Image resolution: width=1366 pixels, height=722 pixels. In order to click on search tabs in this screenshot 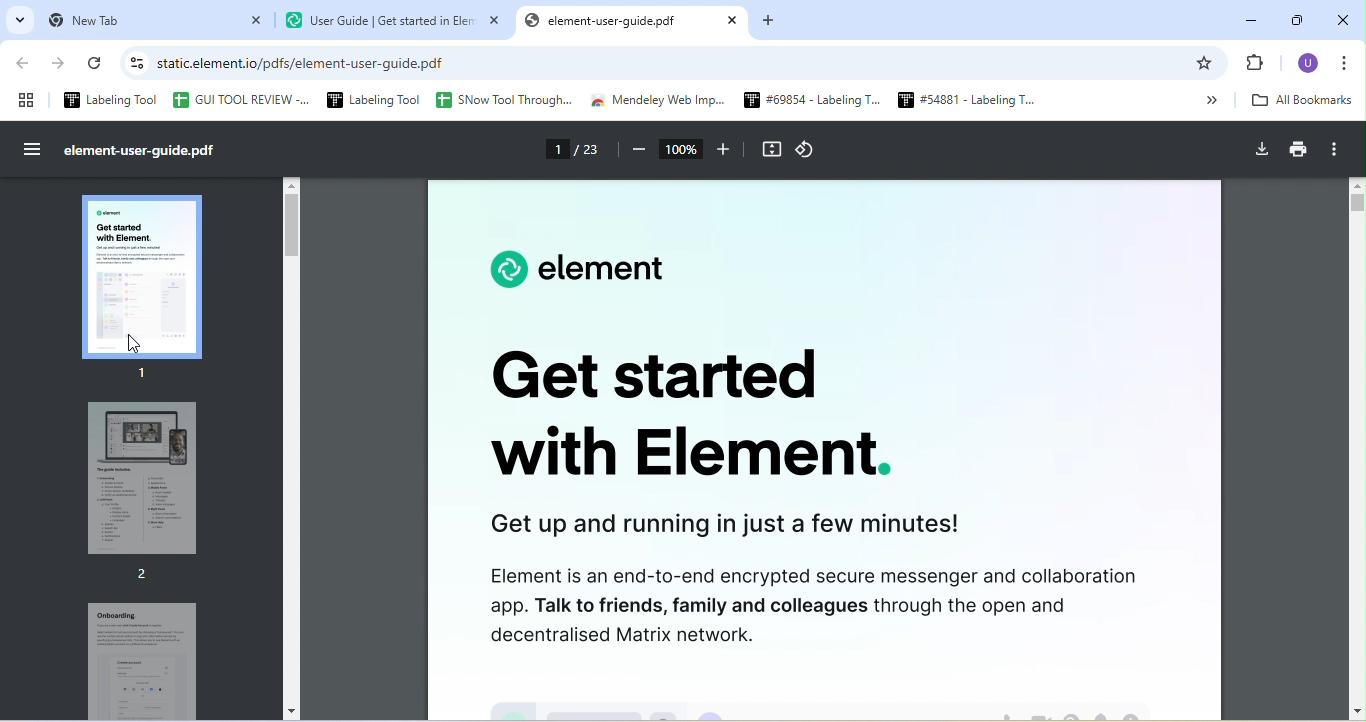, I will do `click(20, 21)`.